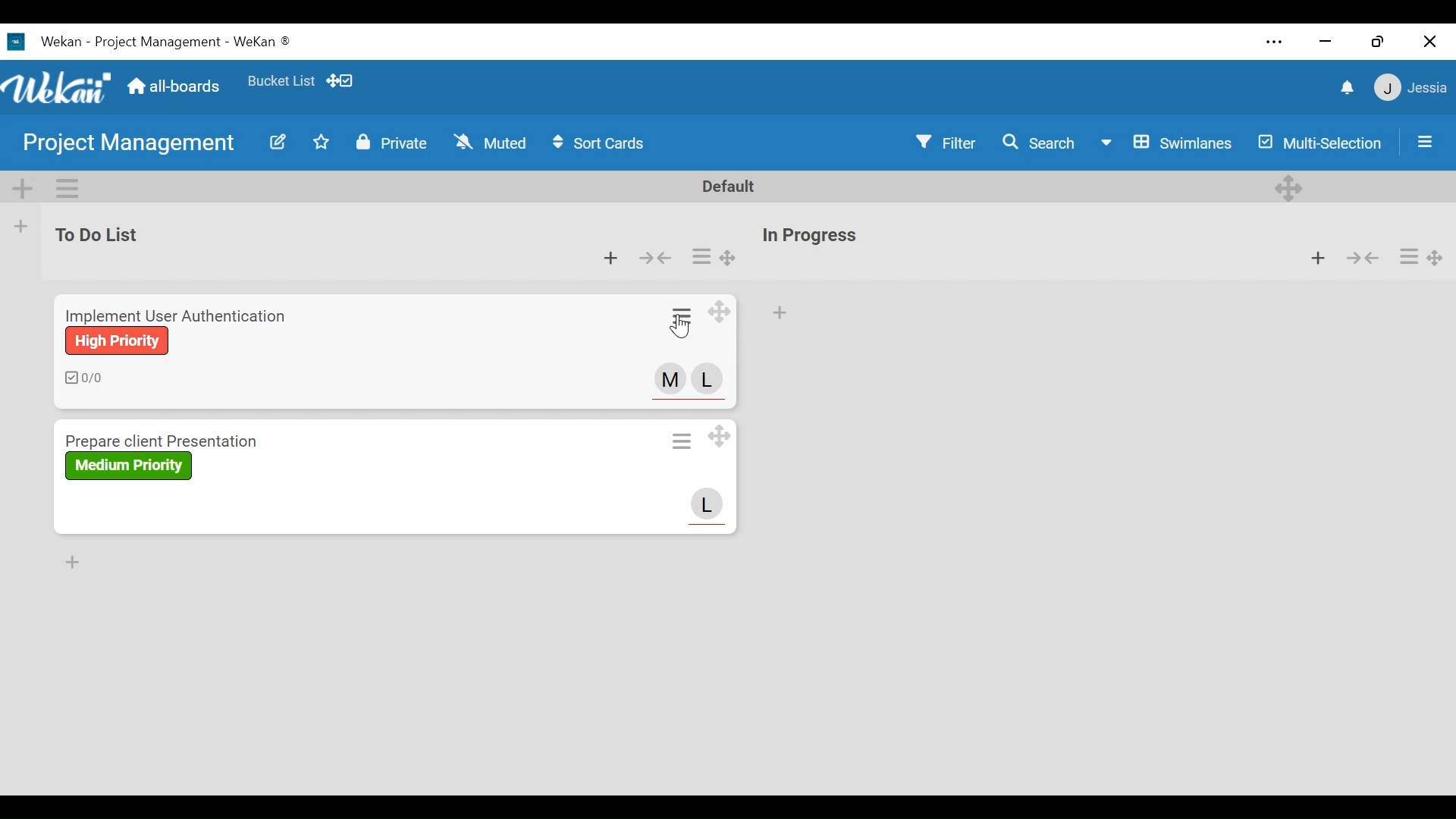  Describe the element at coordinates (24, 188) in the screenshot. I see `Add Swimlane` at that location.